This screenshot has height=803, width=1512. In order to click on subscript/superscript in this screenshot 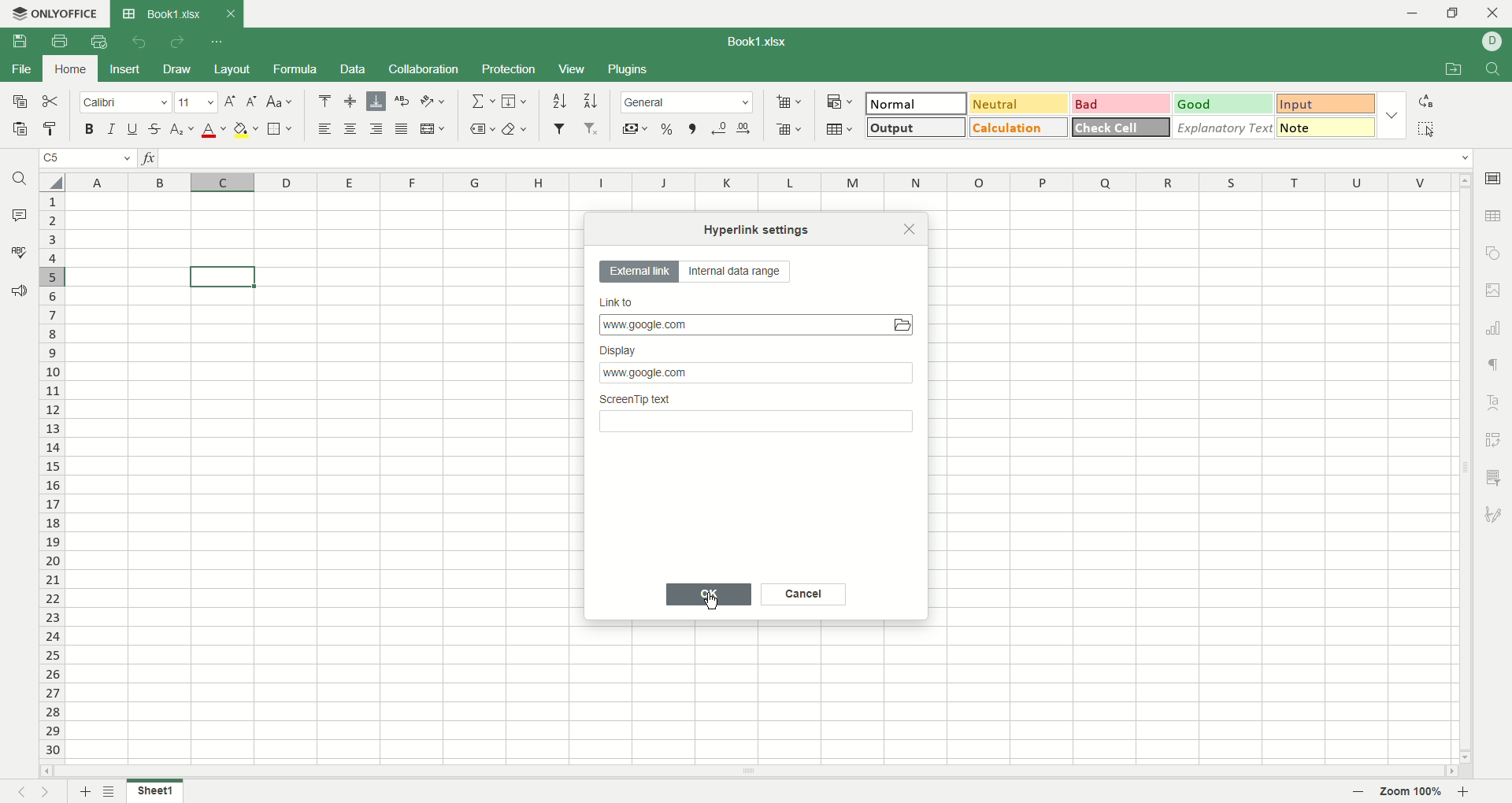, I will do `click(182, 130)`.